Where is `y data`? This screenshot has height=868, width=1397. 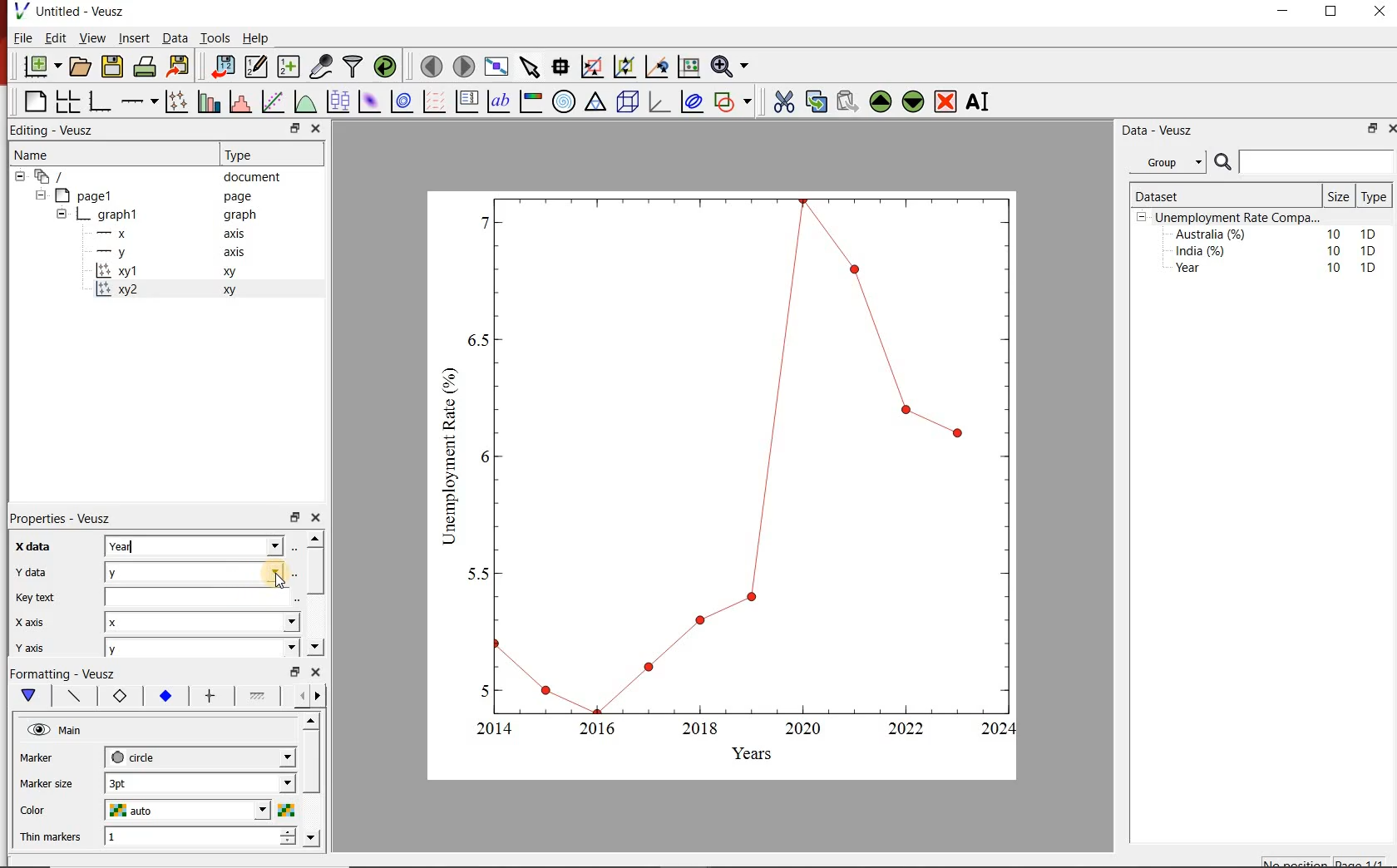 y data is located at coordinates (36, 572).